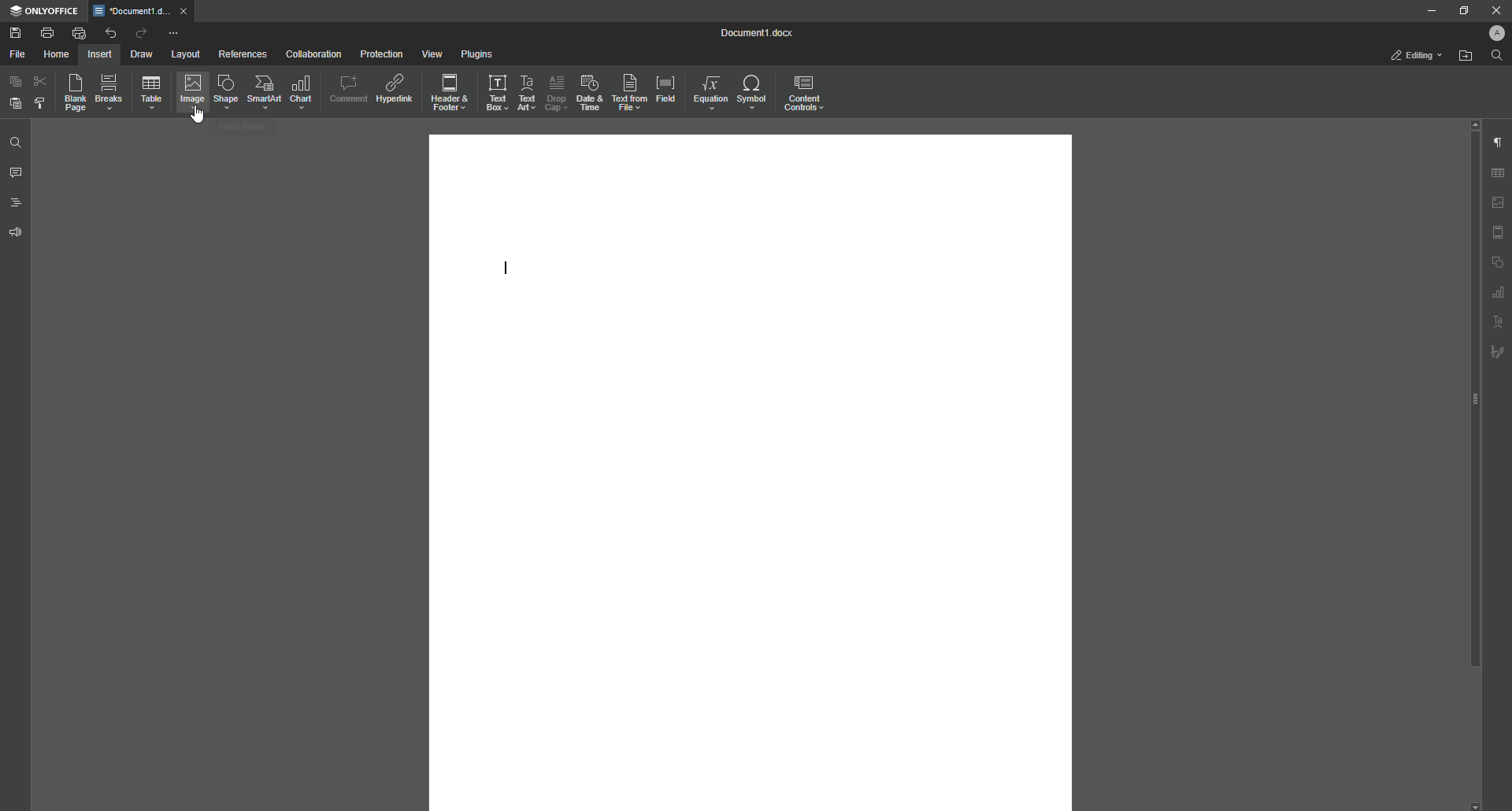 Image resolution: width=1512 pixels, height=811 pixels. What do you see at coordinates (488, 92) in the screenshot?
I see `Text Box` at bounding box center [488, 92].